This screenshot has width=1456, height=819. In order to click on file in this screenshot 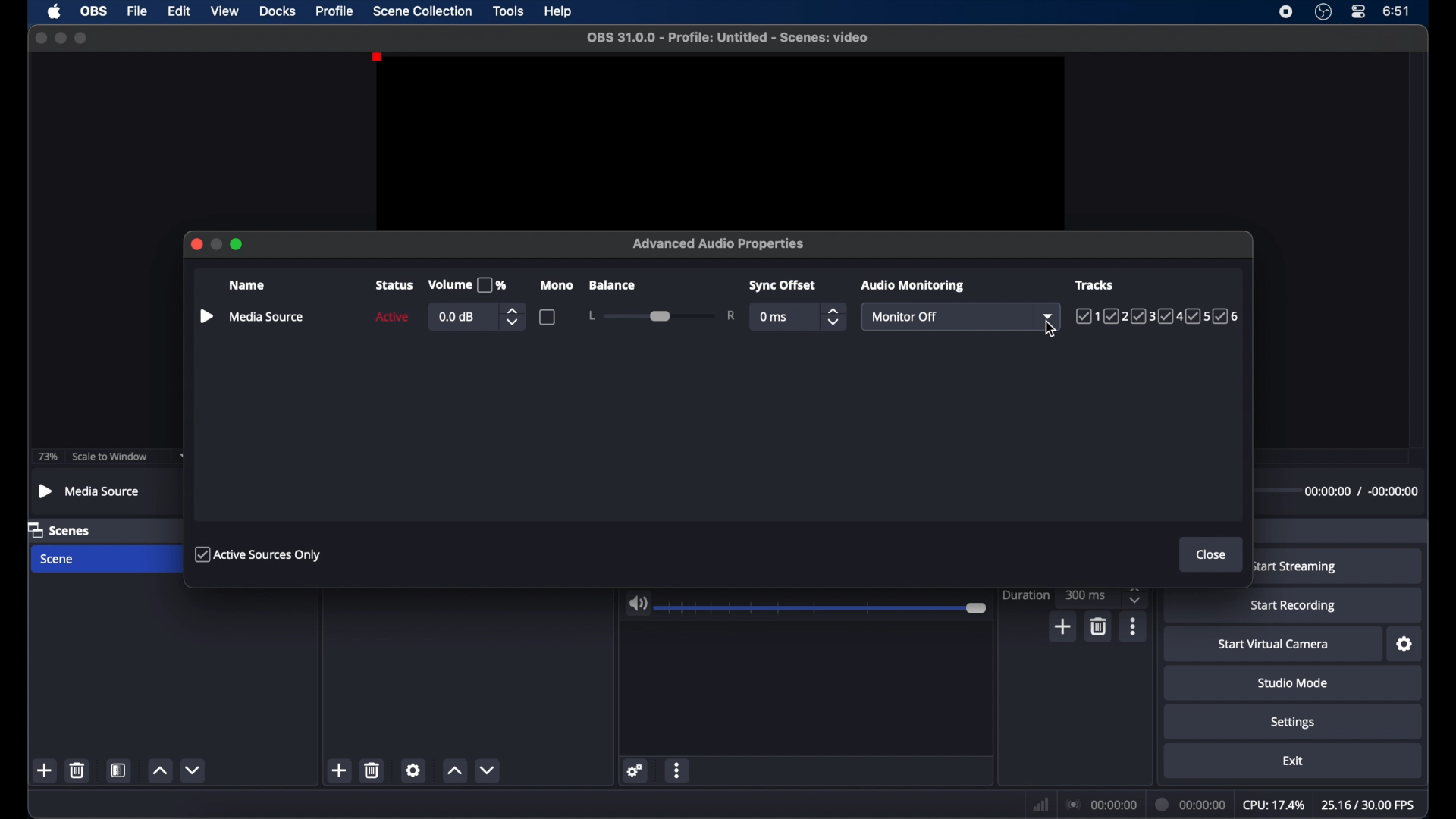, I will do `click(137, 11)`.